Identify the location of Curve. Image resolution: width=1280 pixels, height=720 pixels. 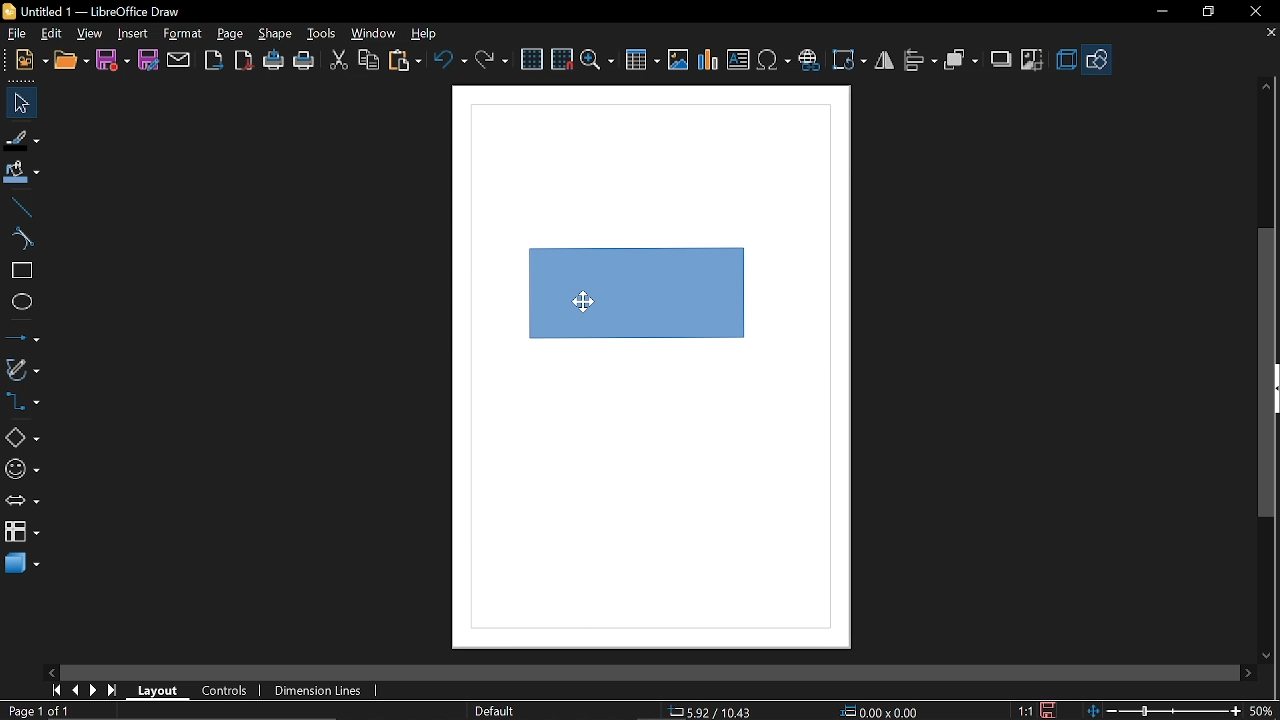
(19, 239).